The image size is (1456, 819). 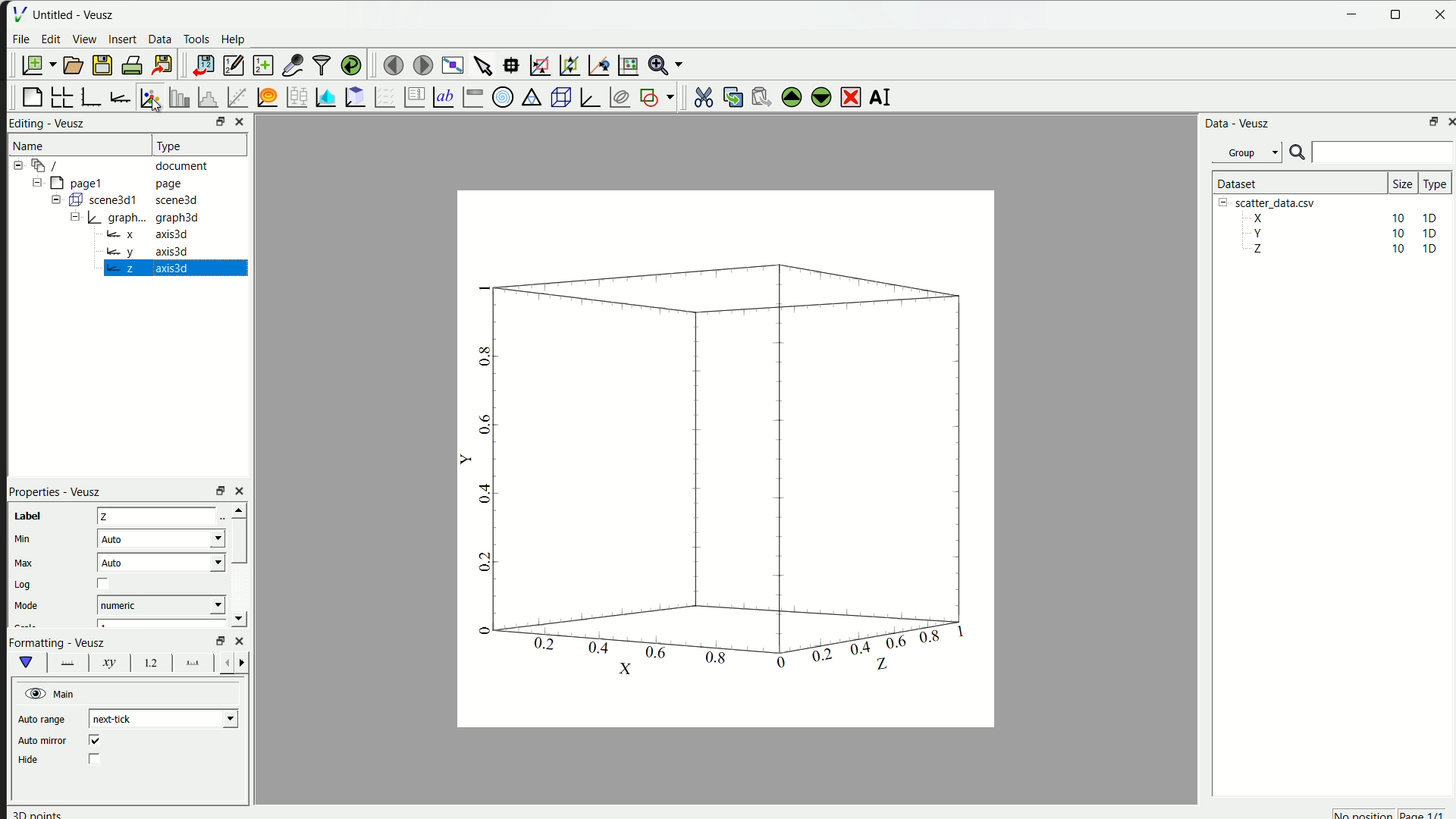 What do you see at coordinates (161, 606) in the screenshot?
I see `| numeric` at bounding box center [161, 606].